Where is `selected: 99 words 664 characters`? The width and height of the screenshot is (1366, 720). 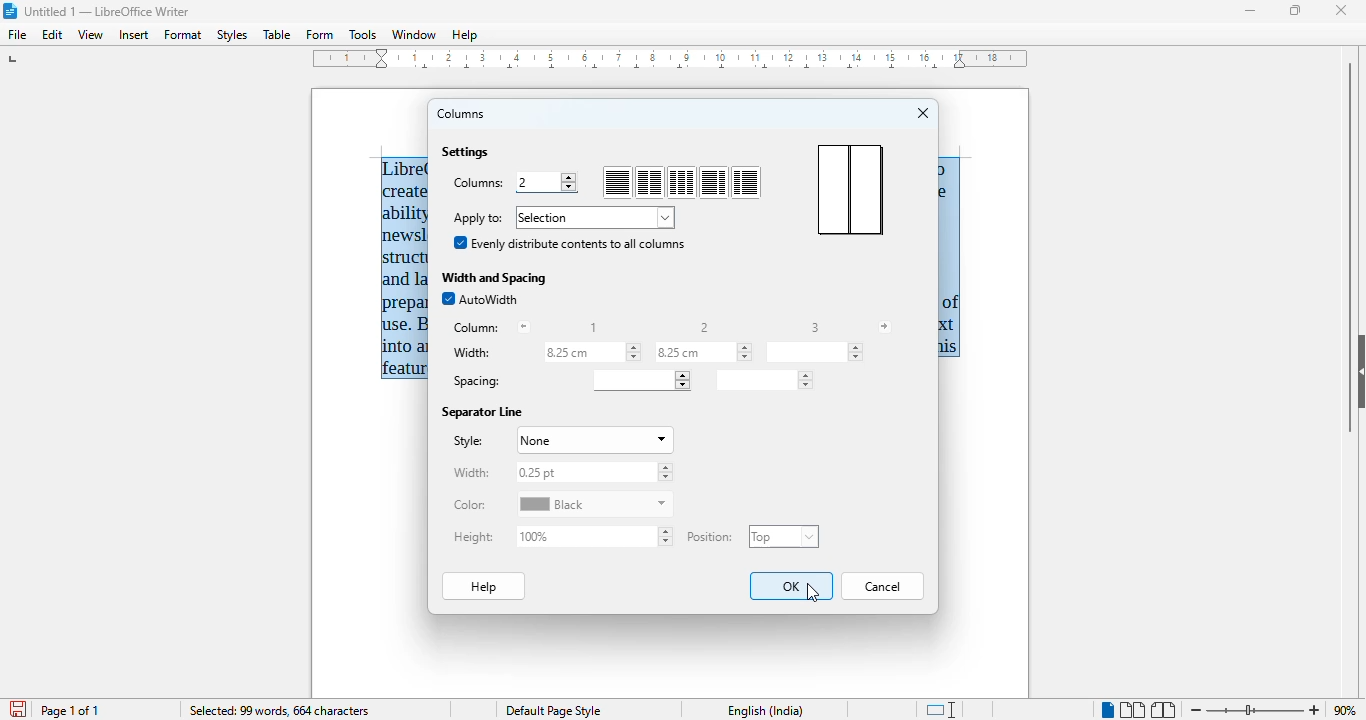
selected: 99 words 664 characters is located at coordinates (279, 710).